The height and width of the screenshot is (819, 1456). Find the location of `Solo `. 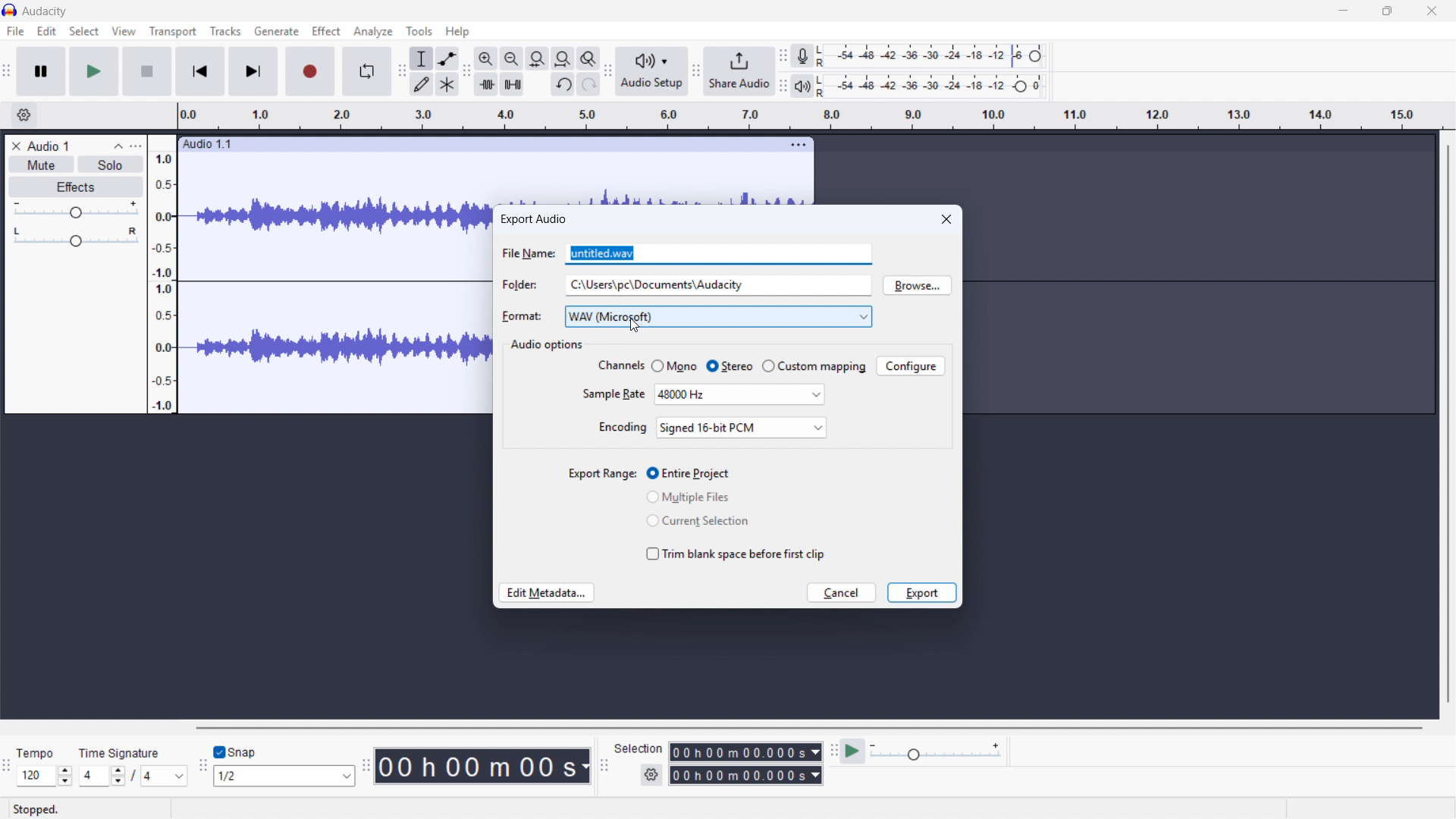

Solo  is located at coordinates (109, 165).